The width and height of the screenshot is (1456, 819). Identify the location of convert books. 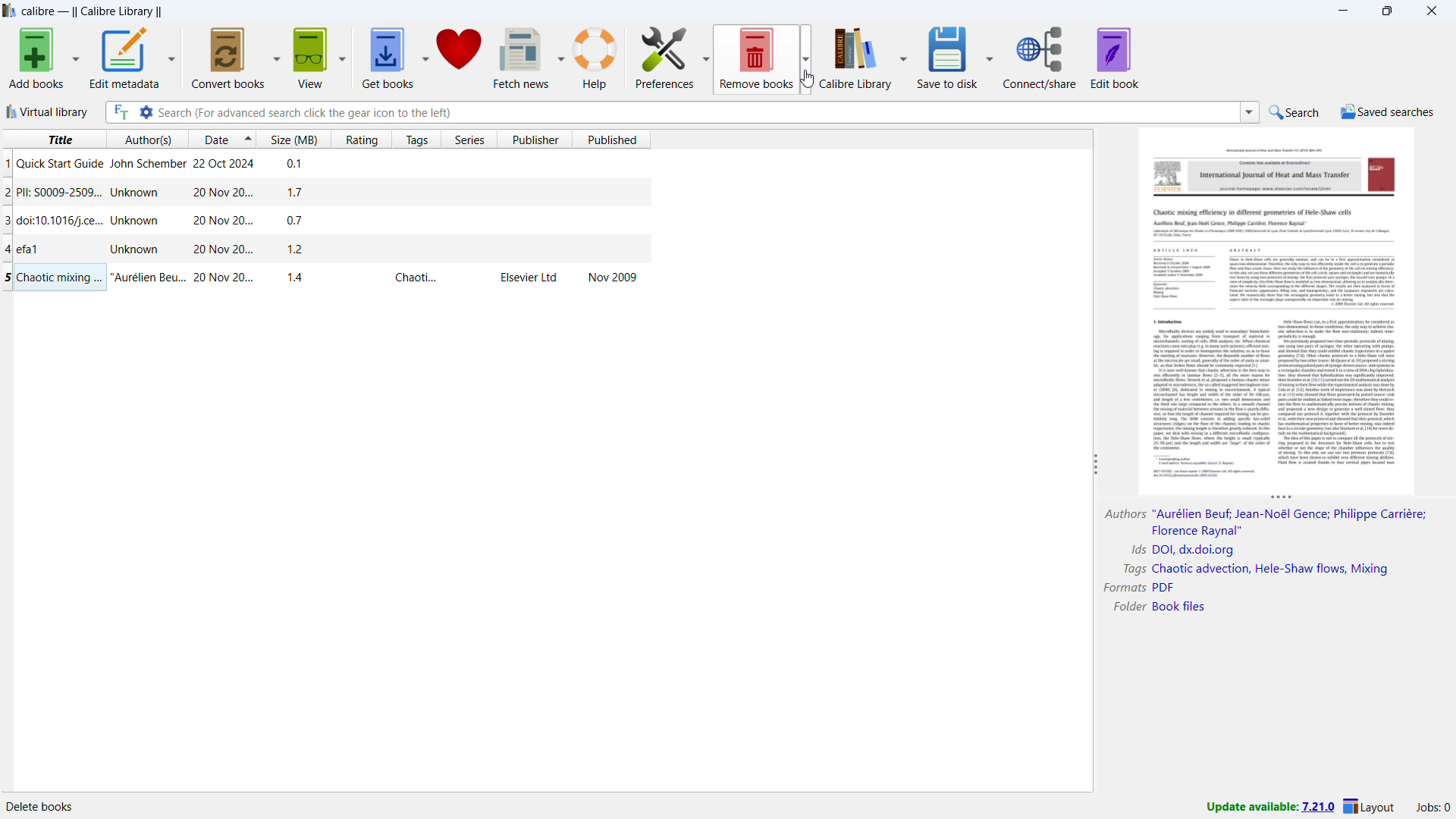
(229, 58).